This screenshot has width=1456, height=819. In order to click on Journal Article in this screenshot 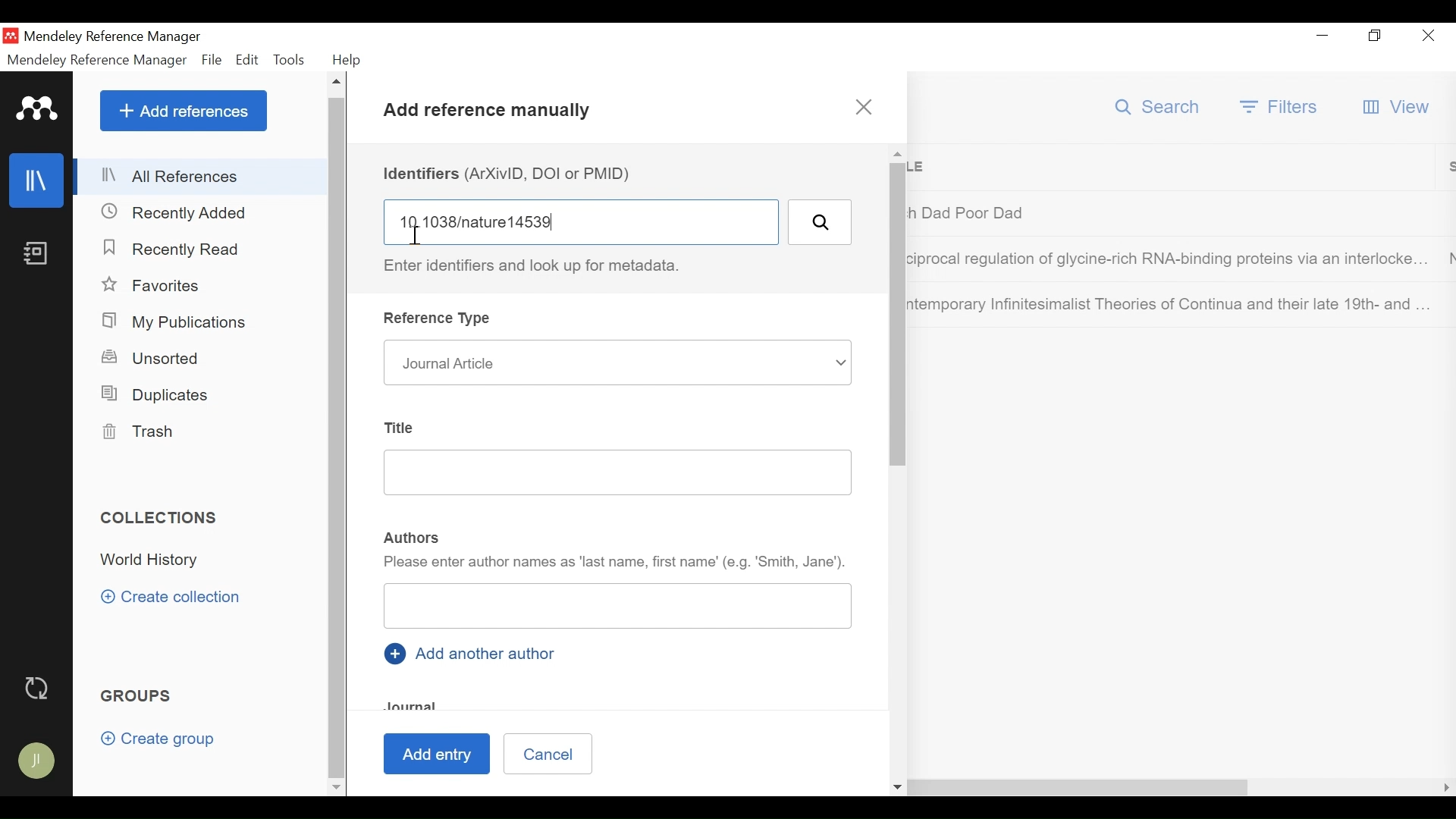, I will do `click(615, 362)`.